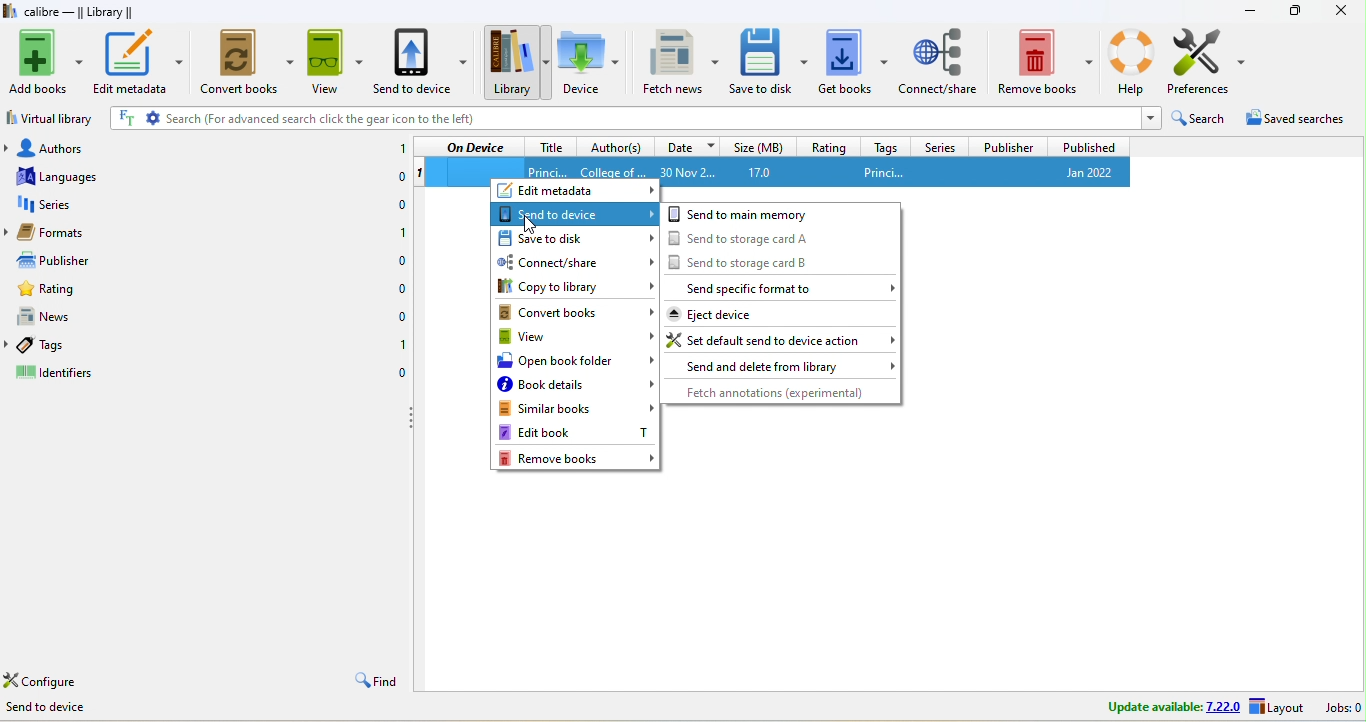 Image resolution: width=1366 pixels, height=722 pixels. What do you see at coordinates (577, 263) in the screenshot?
I see `connect/share` at bounding box center [577, 263].